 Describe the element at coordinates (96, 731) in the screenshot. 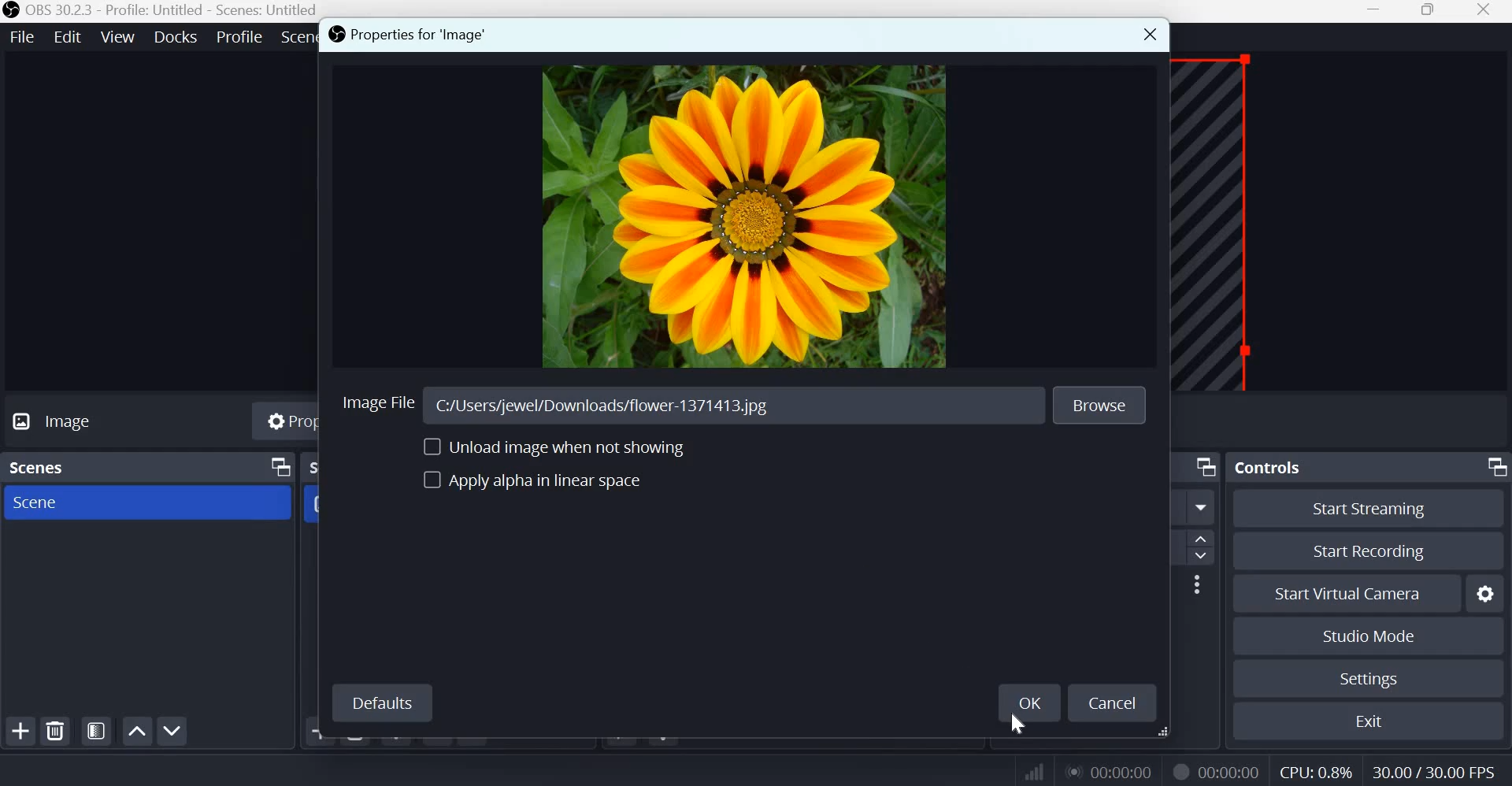

I see `Open scene filters` at that location.